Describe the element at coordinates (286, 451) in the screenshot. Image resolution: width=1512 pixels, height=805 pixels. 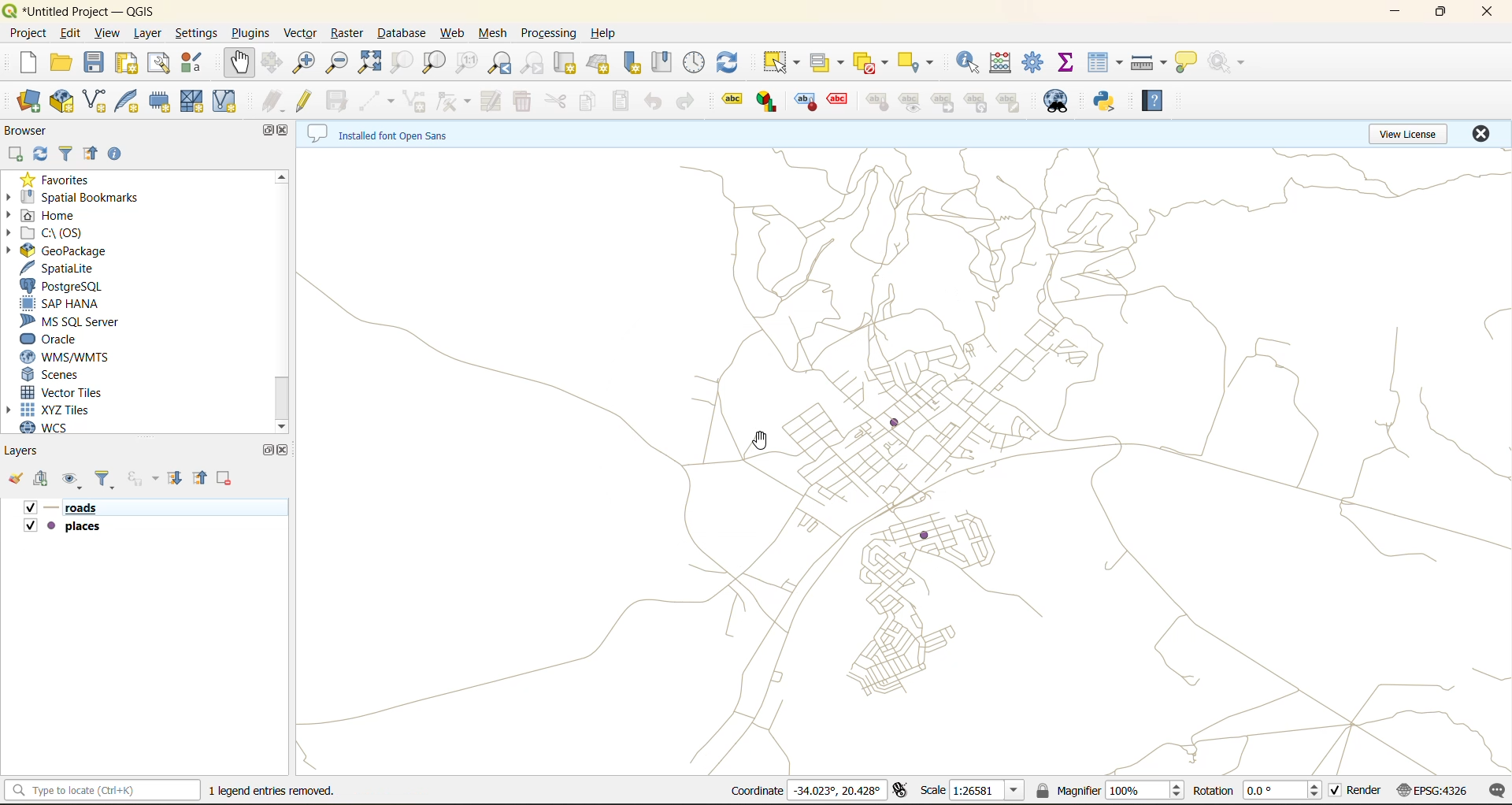
I see `close` at that location.